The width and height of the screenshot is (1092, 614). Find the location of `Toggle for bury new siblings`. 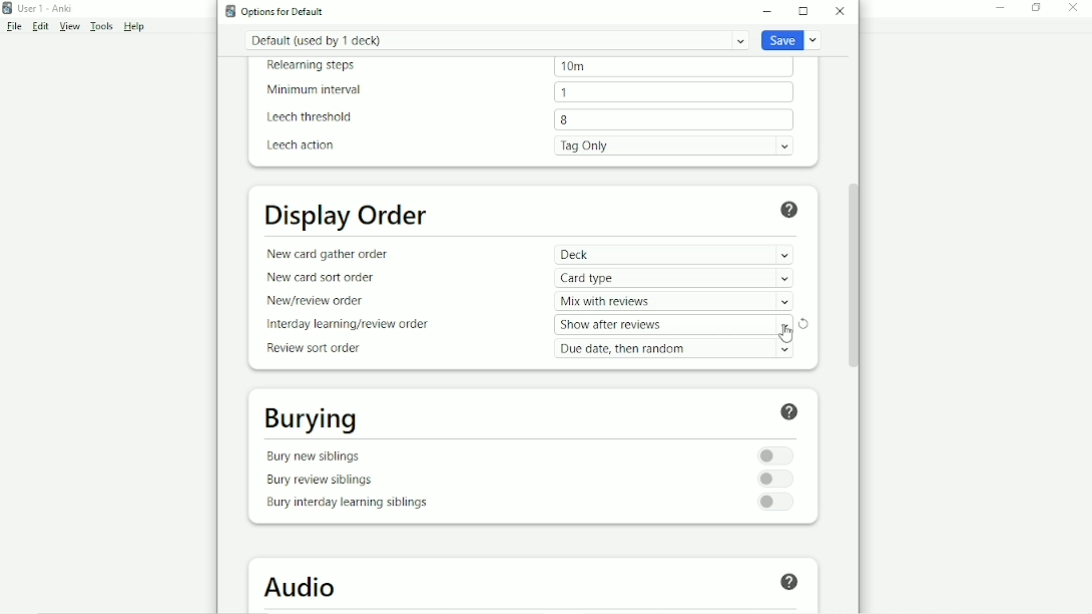

Toggle for bury new siblings is located at coordinates (776, 456).